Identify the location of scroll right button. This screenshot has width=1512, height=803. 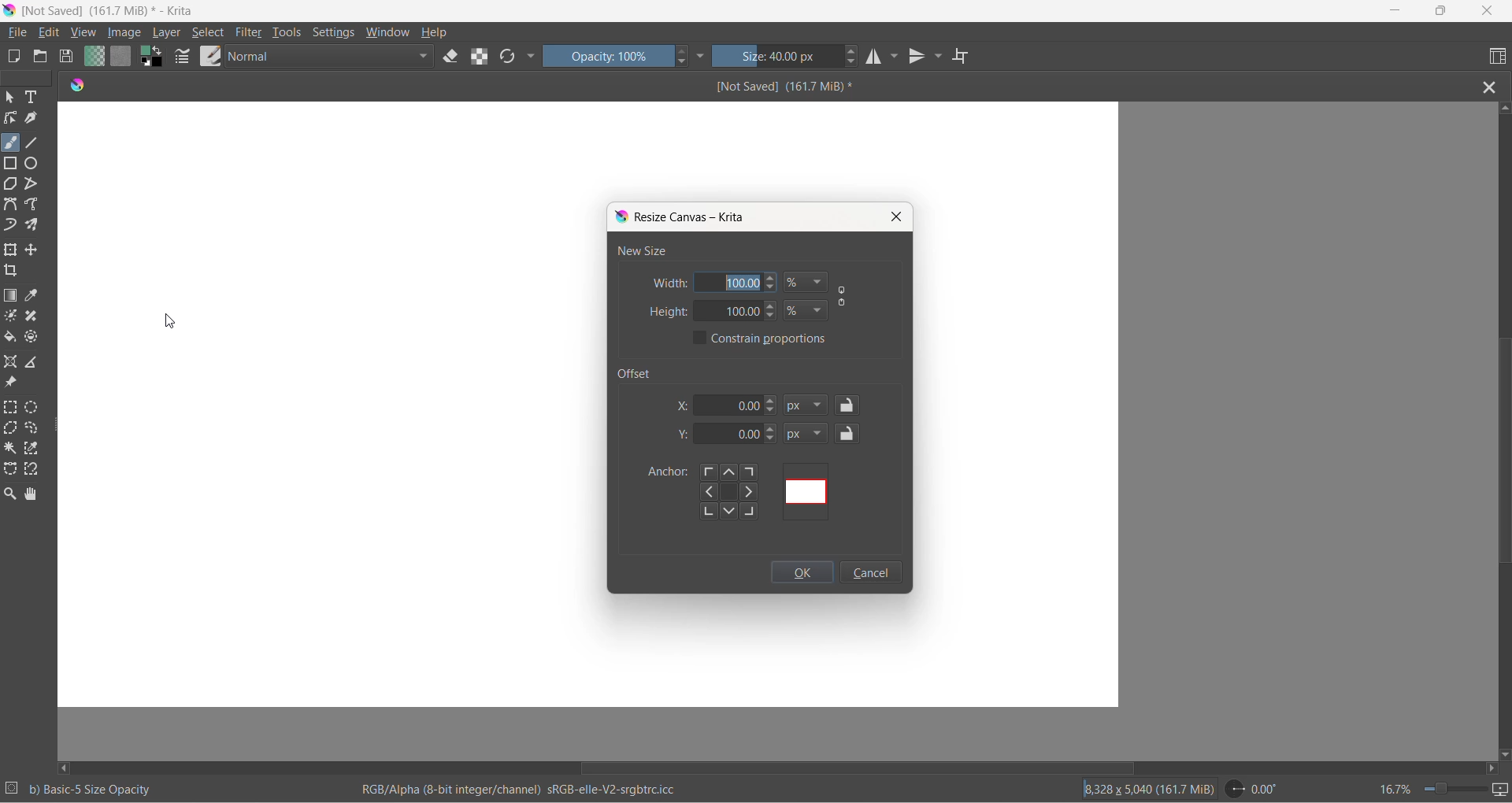
(1490, 768).